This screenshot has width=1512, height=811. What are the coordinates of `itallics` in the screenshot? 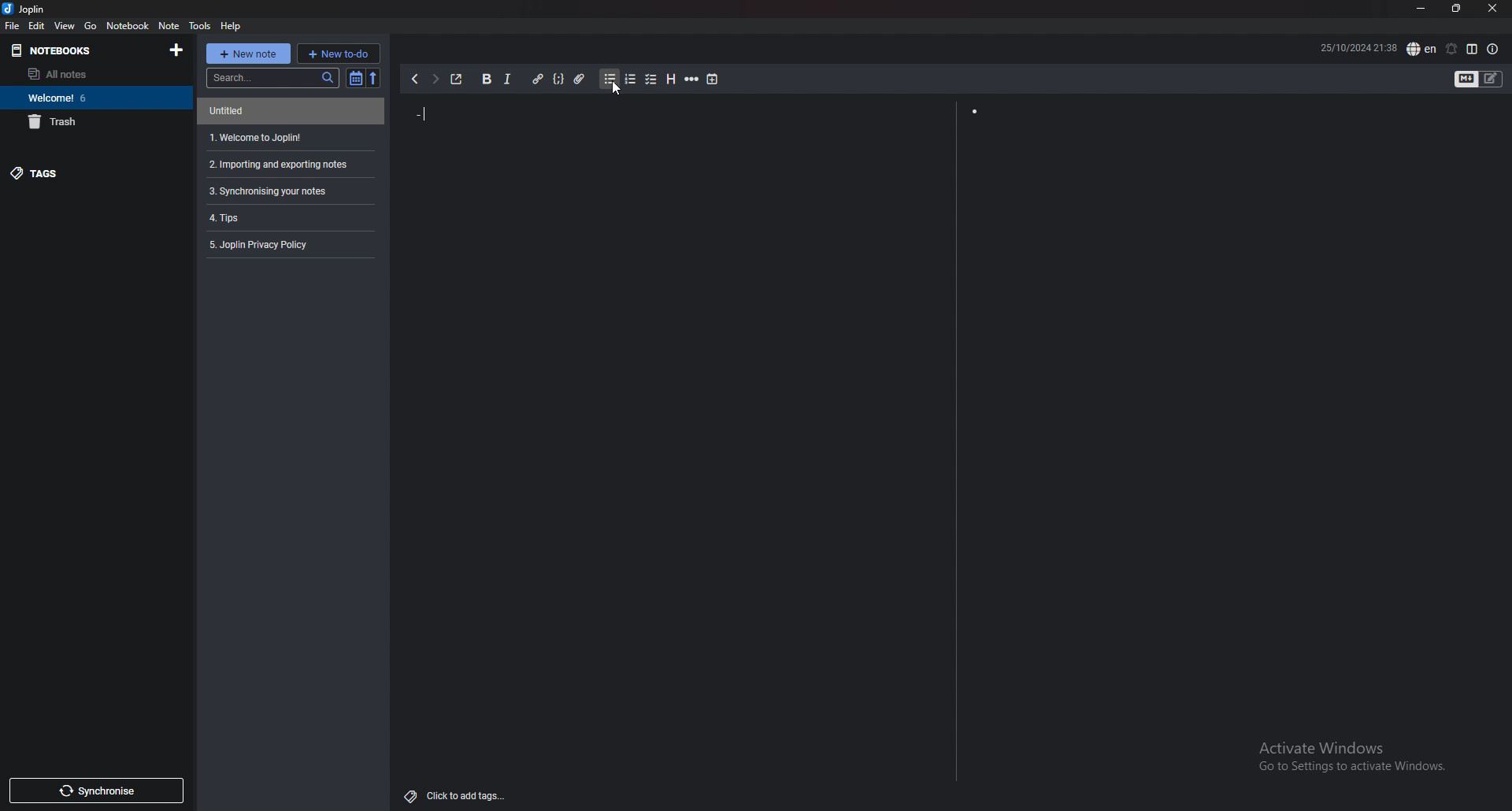 It's located at (510, 79).